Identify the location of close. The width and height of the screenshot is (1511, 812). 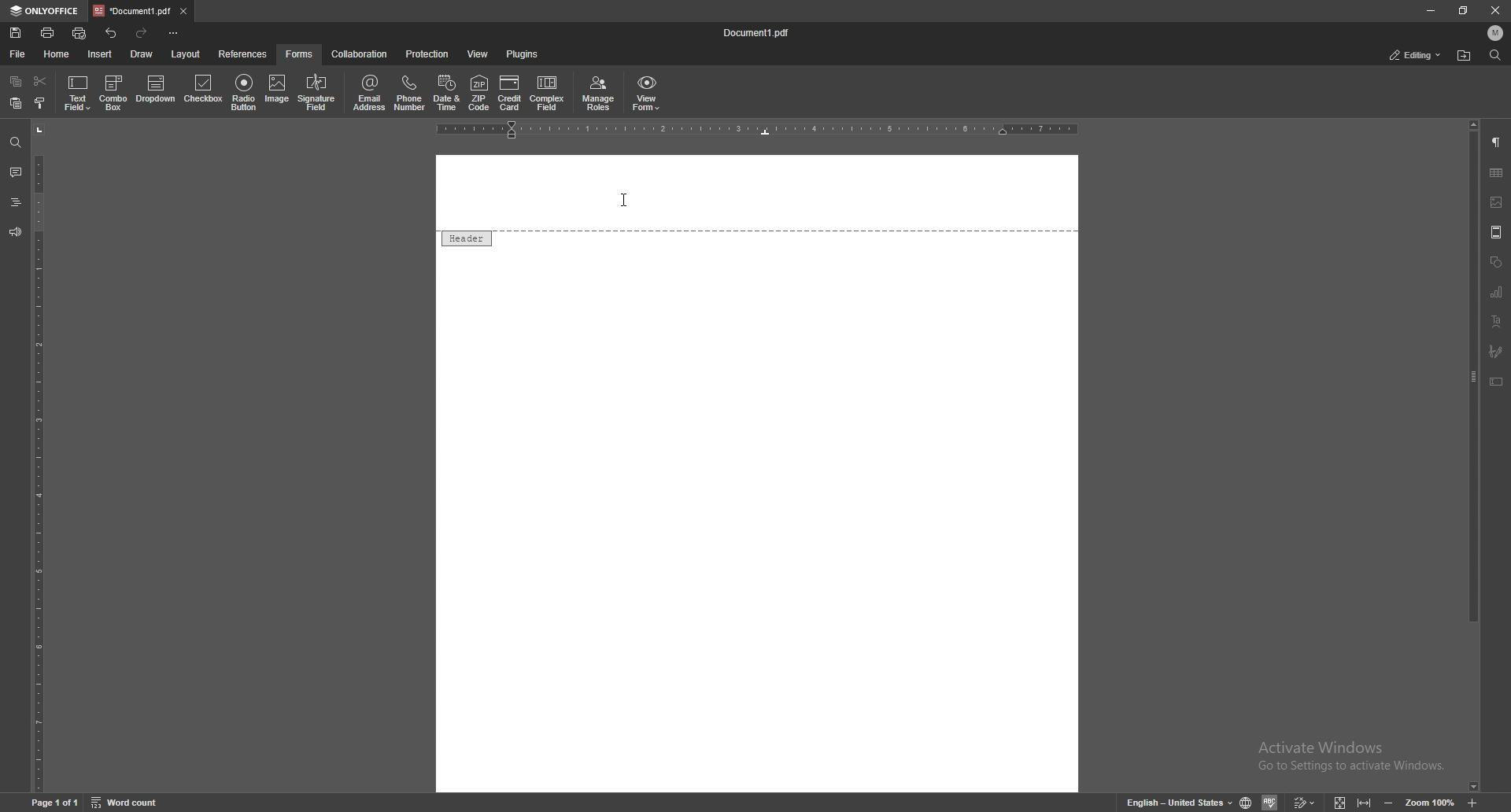
(1494, 10).